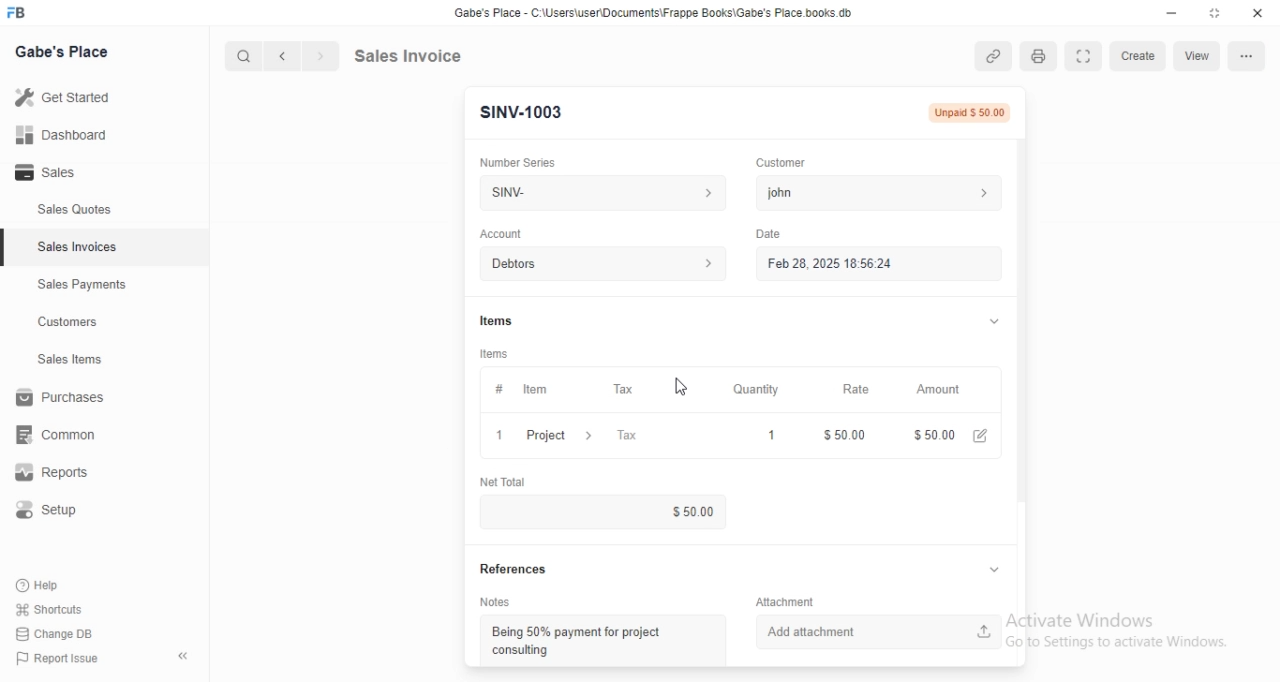  Describe the element at coordinates (682, 389) in the screenshot. I see `cursor` at that location.